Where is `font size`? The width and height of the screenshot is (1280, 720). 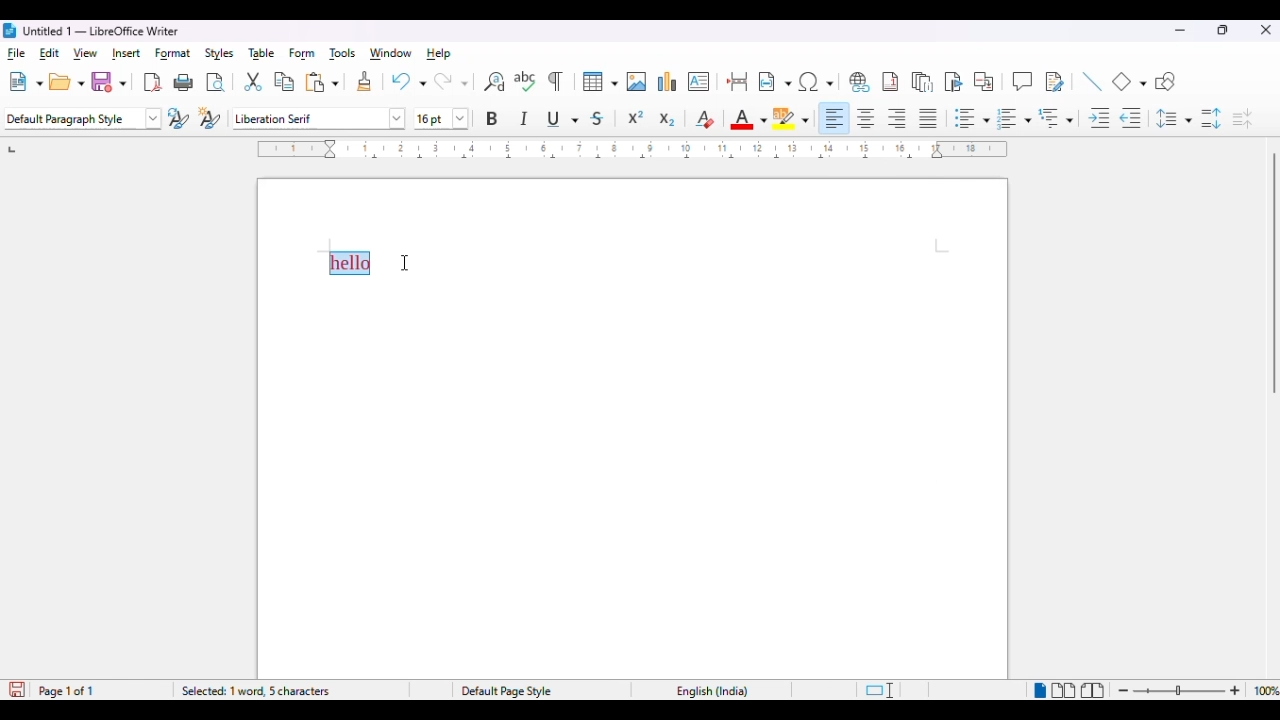
font size is located at coordinates (442, 119).